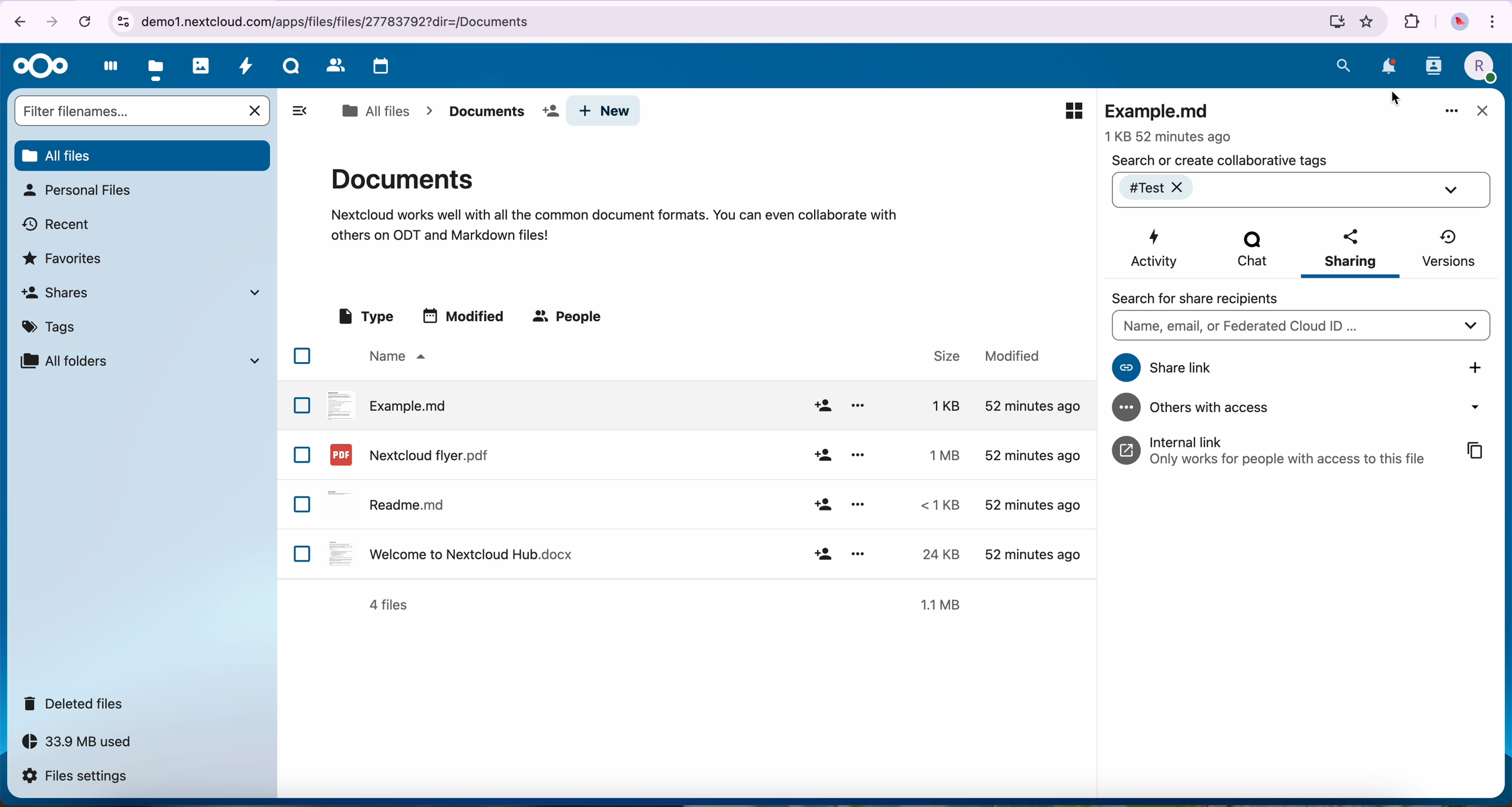  What do you see at coordinates (1476, 452) in the screenshot?
I see `copy` at bounding box center [1476, 452].